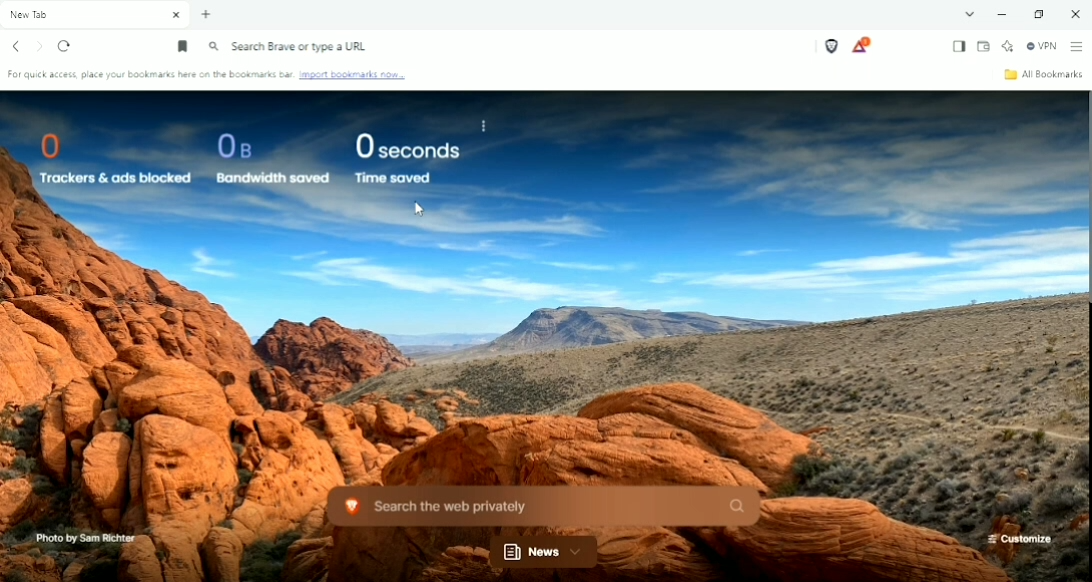 This screenshot has width=1092, height=582. Describe the element at coordinates (419, 209) in the screenshot. I see `Cursor` at that location.